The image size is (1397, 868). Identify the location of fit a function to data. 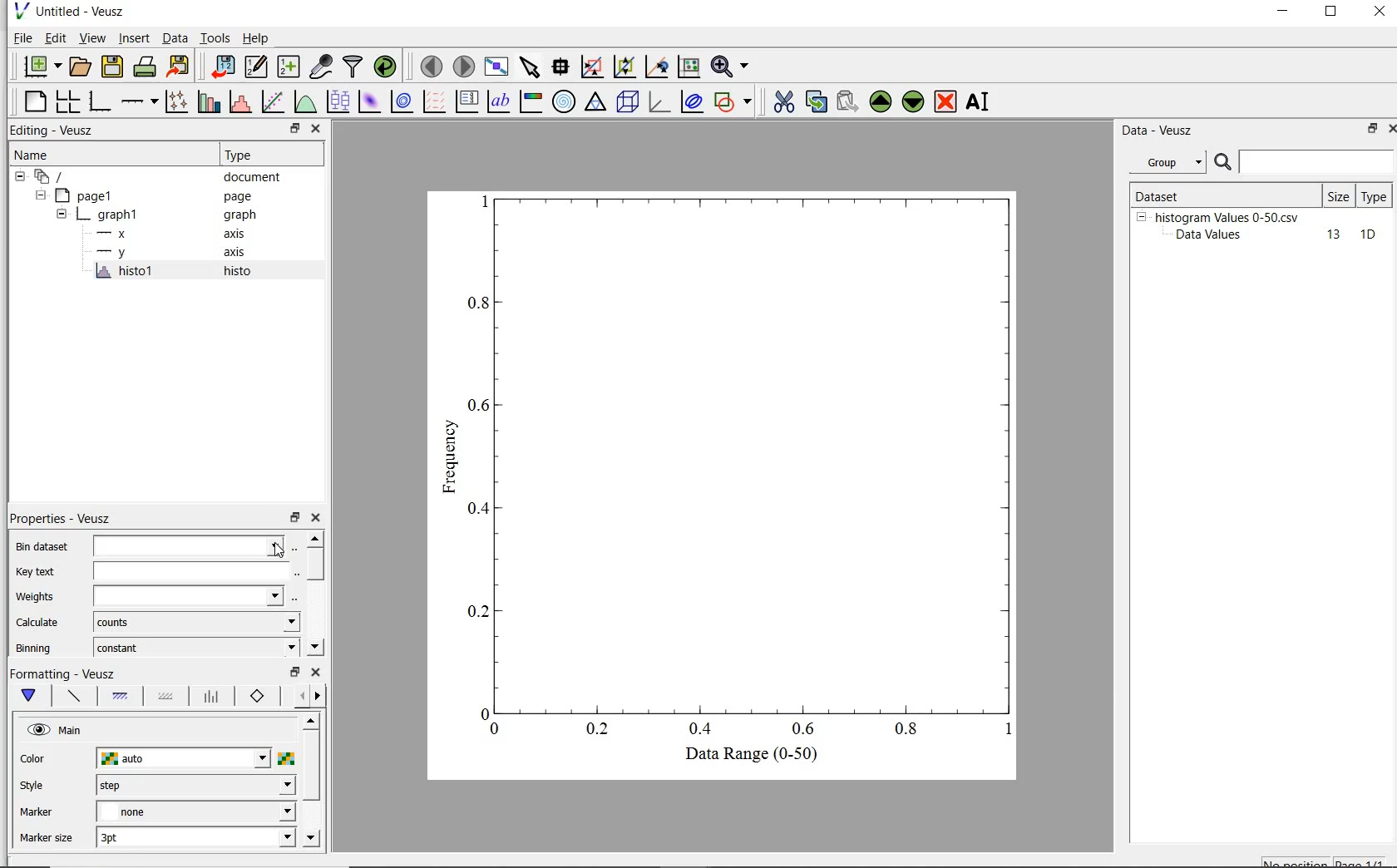
(274, 101).